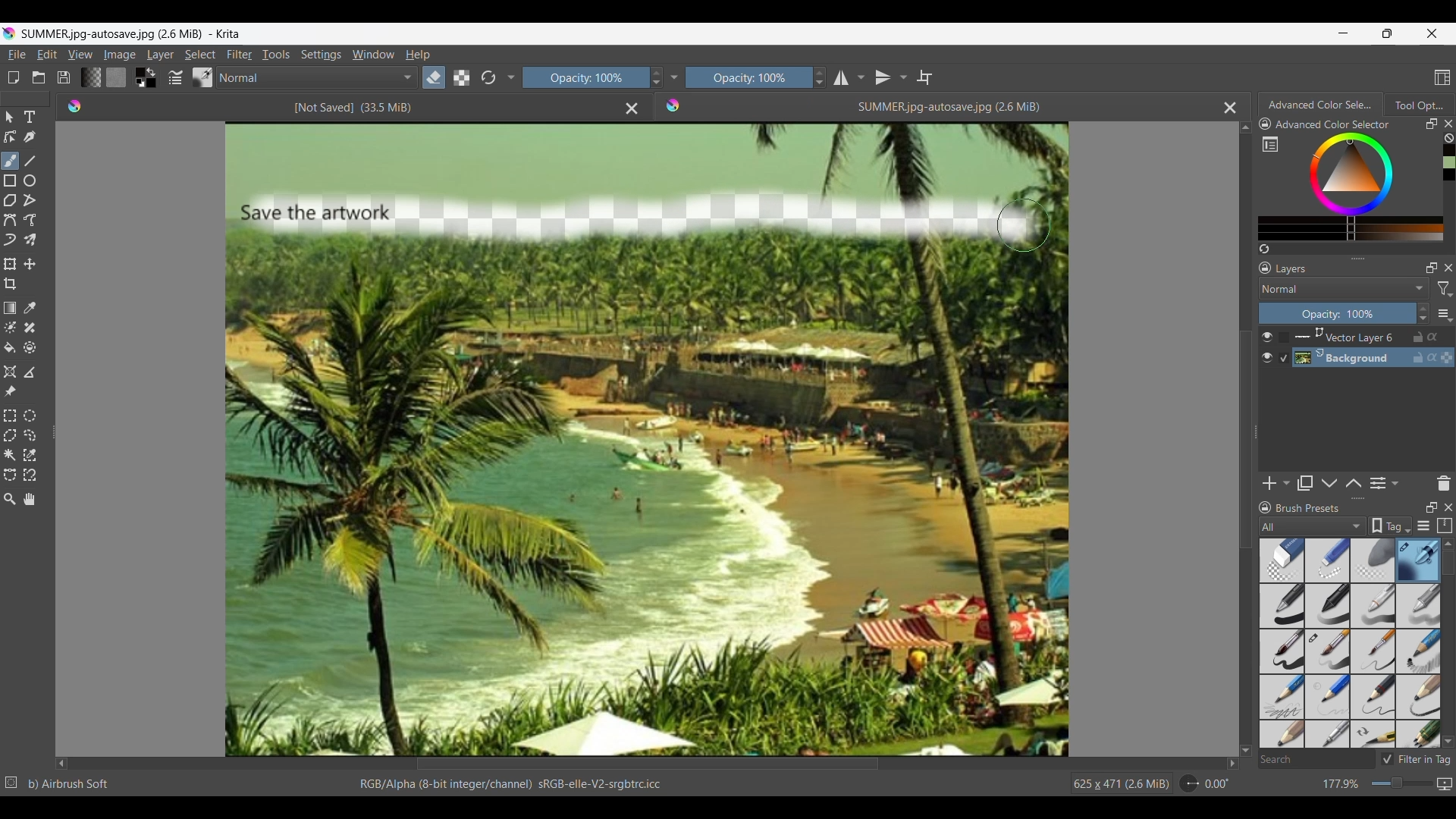 Image resolution: width=1456 pixels, height=819 pixels. Describe the element at coordinates (1266, 347) in the screenshot. I see `Show/Hide respective layer in image space ` at that location.